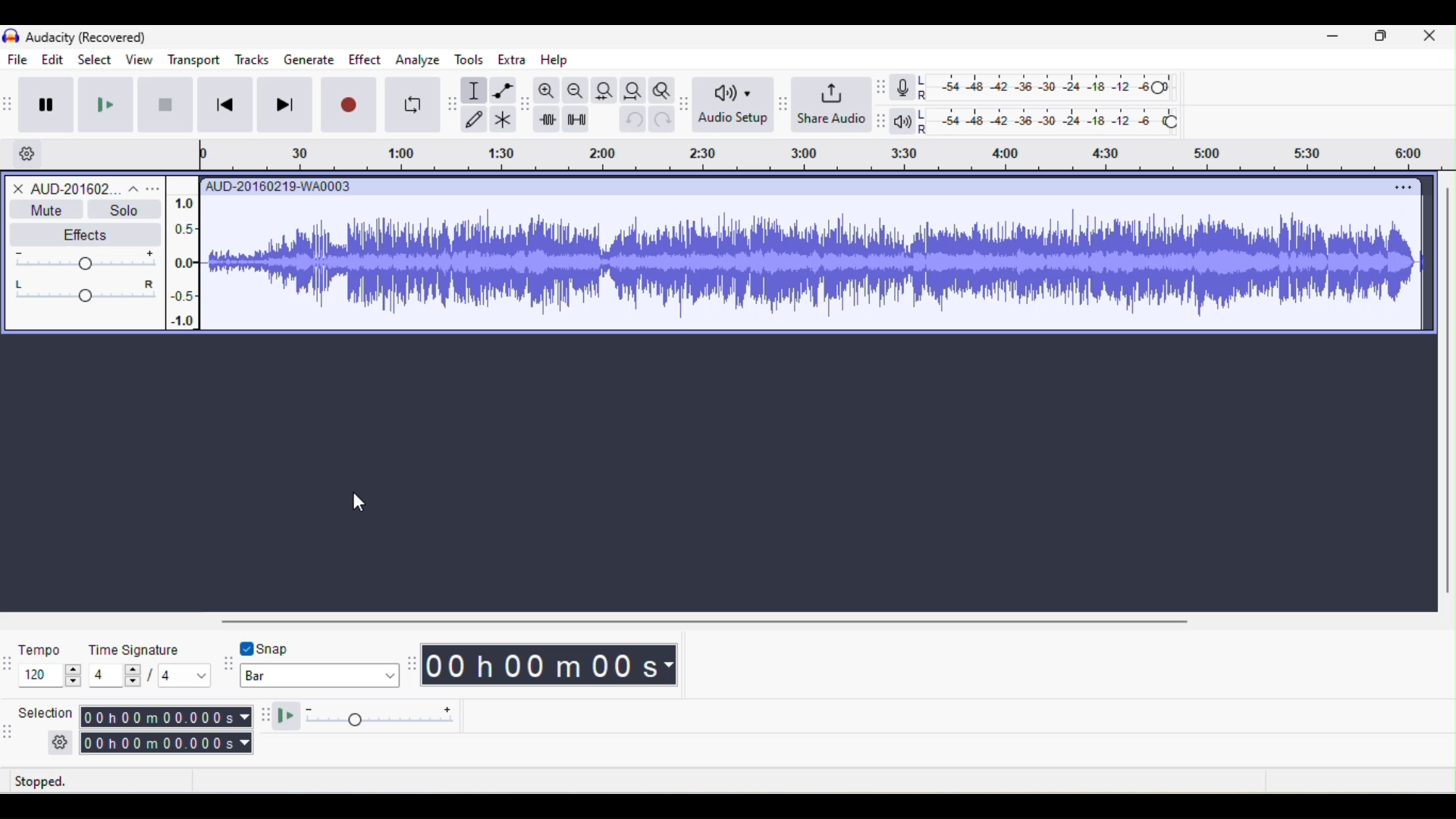 The height and width of the screenshot is (819, 1456). Describe the element at coordinates (453, 102) in the screenshot. I see `audacity tools toolbar` at that location.